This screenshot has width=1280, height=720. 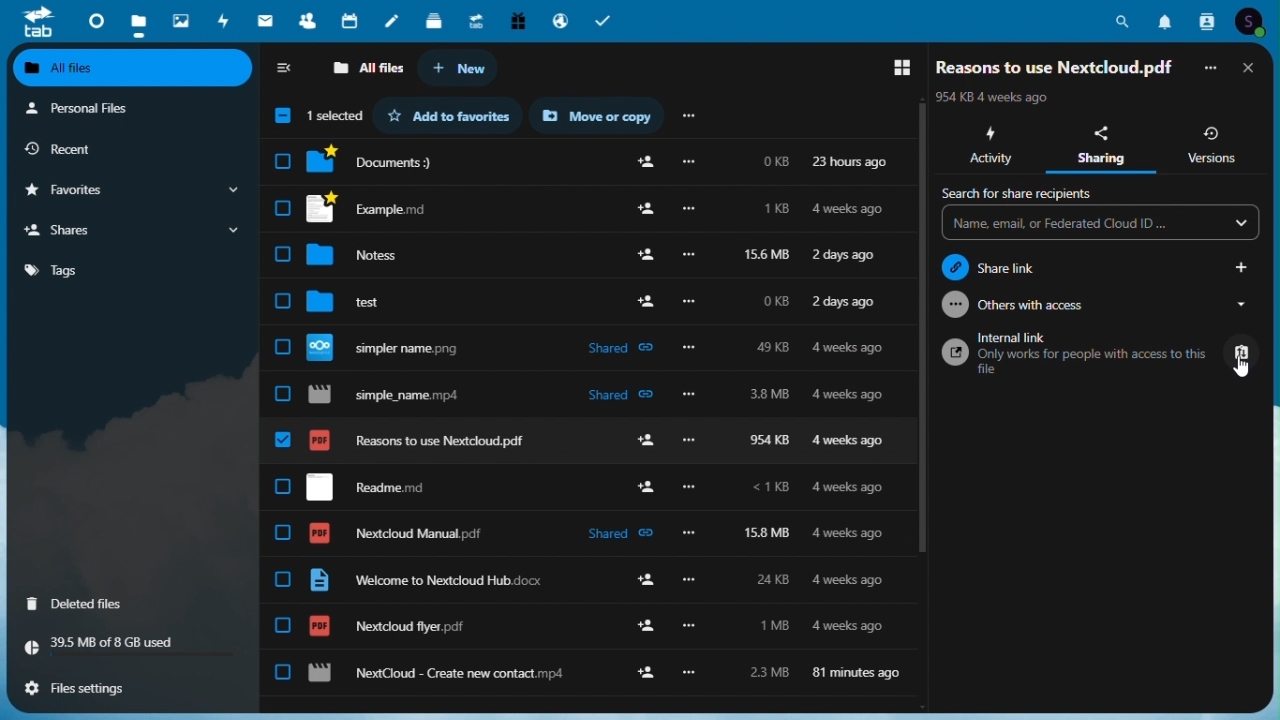 What do you see at coordinates (688, 532) in the screenshot?
I see `more options` at bounding box center [688, 532].